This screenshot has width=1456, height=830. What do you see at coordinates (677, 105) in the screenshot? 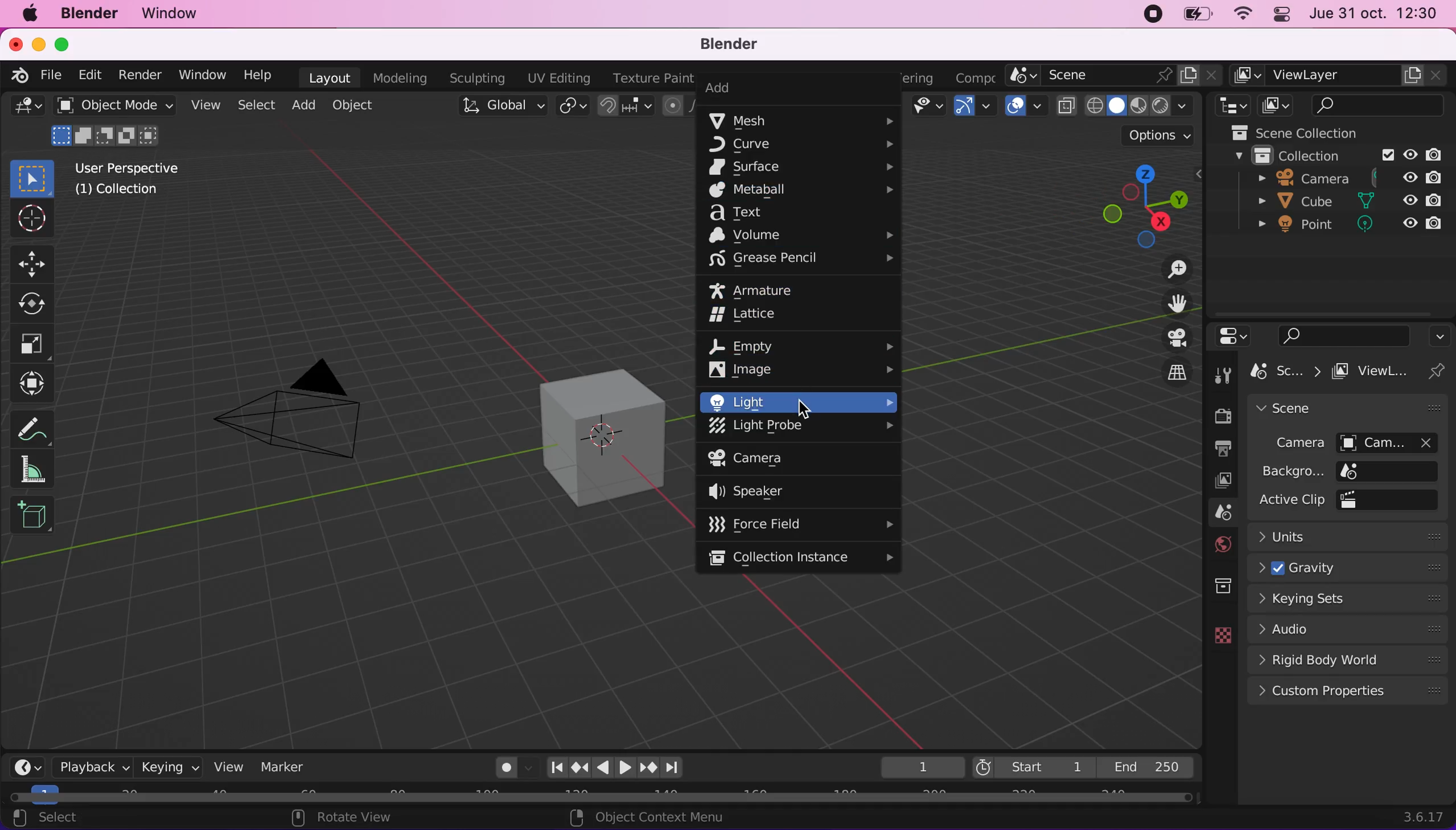
I see `proportional editing objects` at bounding box center [677, 105].